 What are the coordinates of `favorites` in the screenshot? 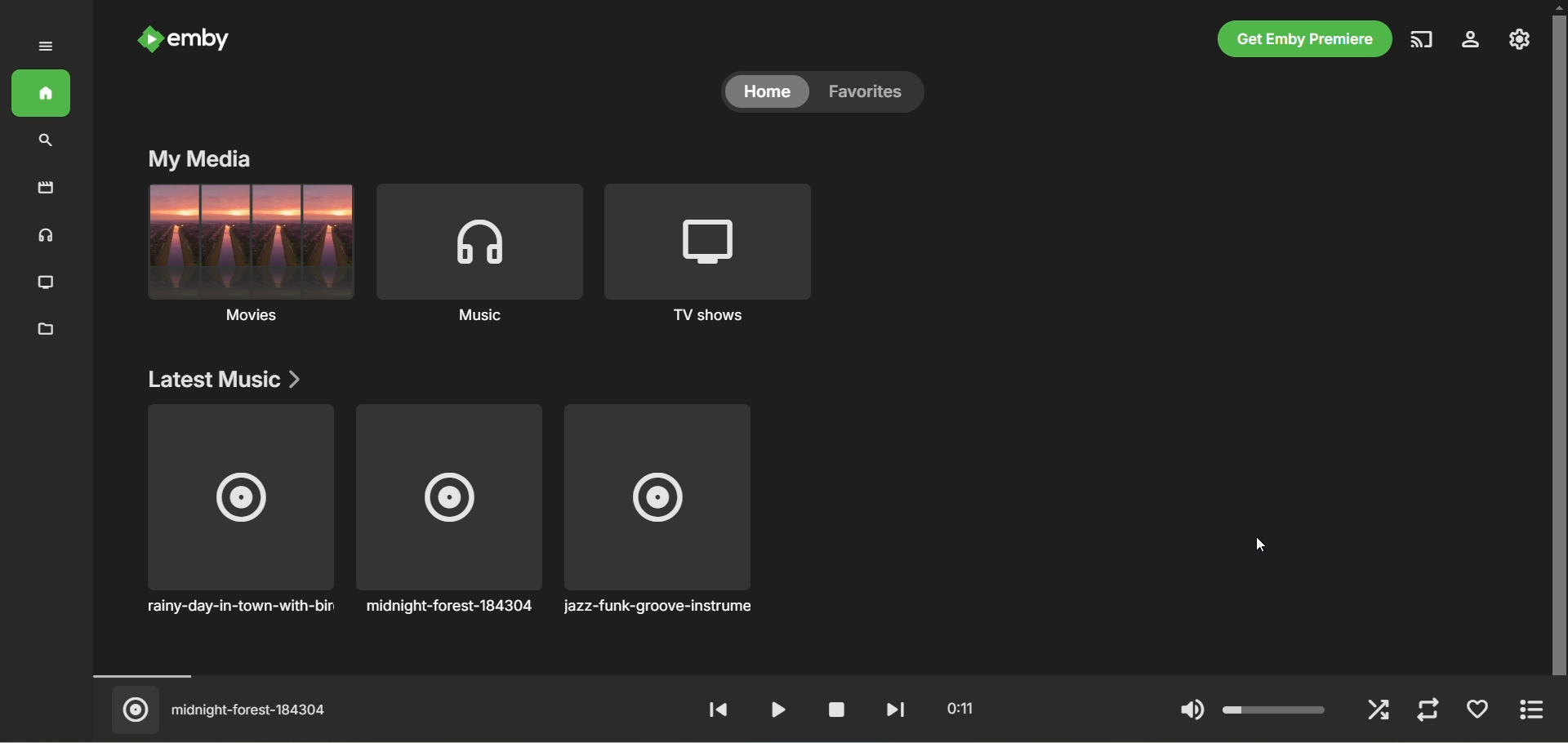 It's located at (871, 95).